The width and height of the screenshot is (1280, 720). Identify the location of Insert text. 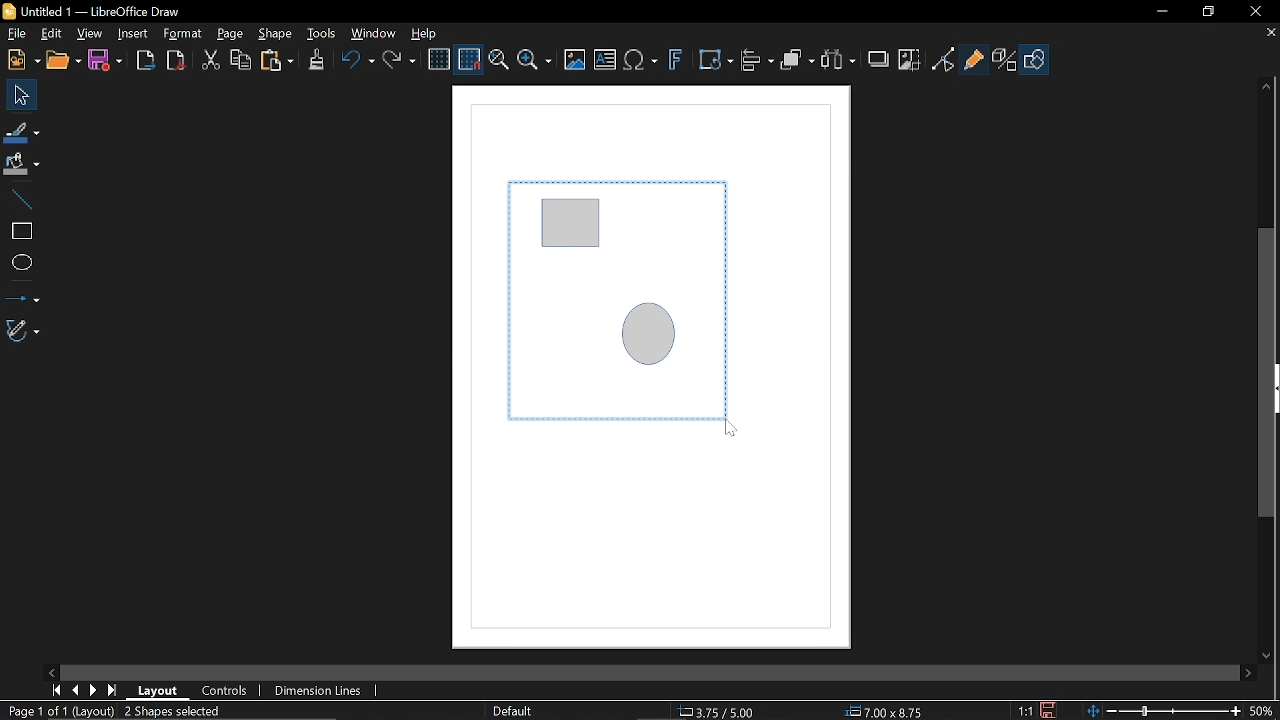
(606, 60).